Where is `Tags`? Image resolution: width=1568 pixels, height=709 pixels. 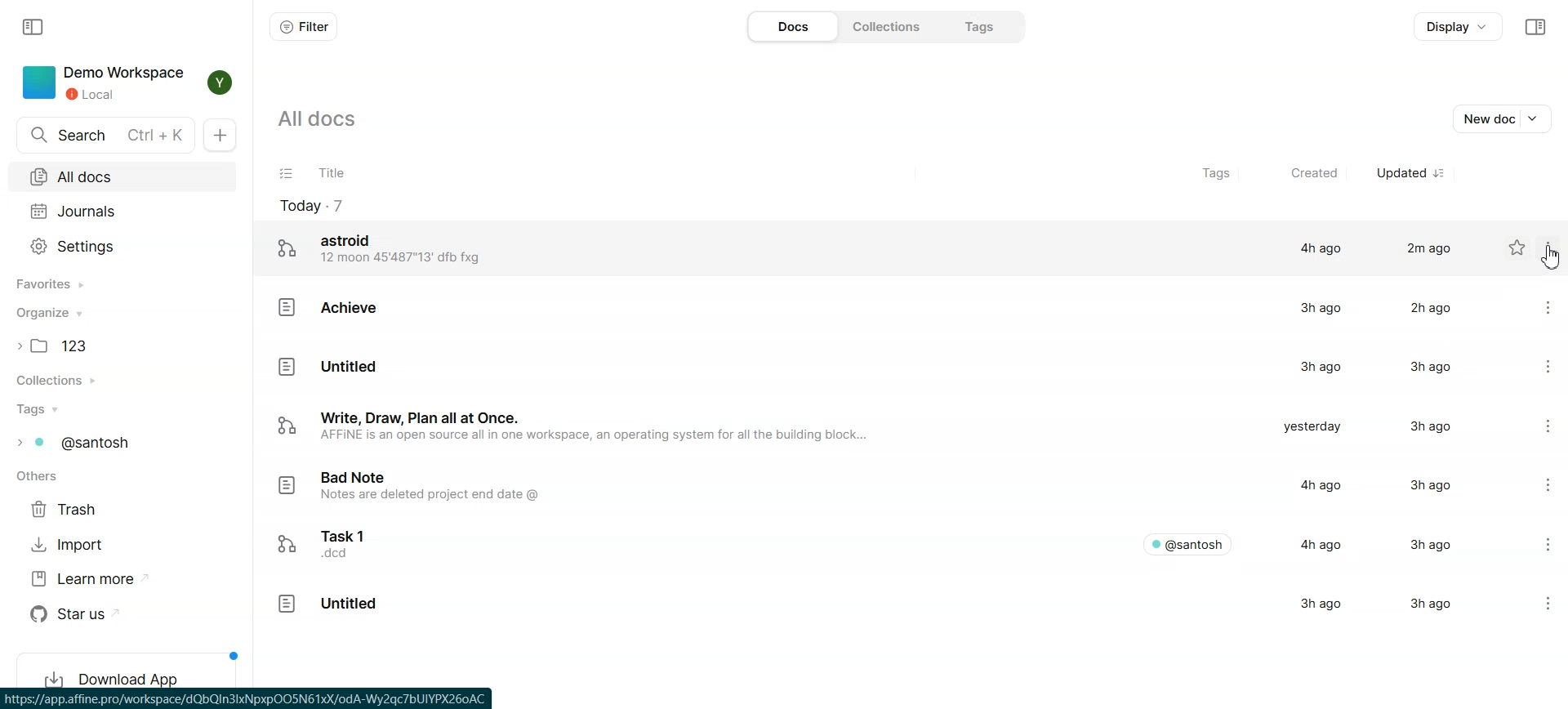 Tags is located at coordinates (121, 443).